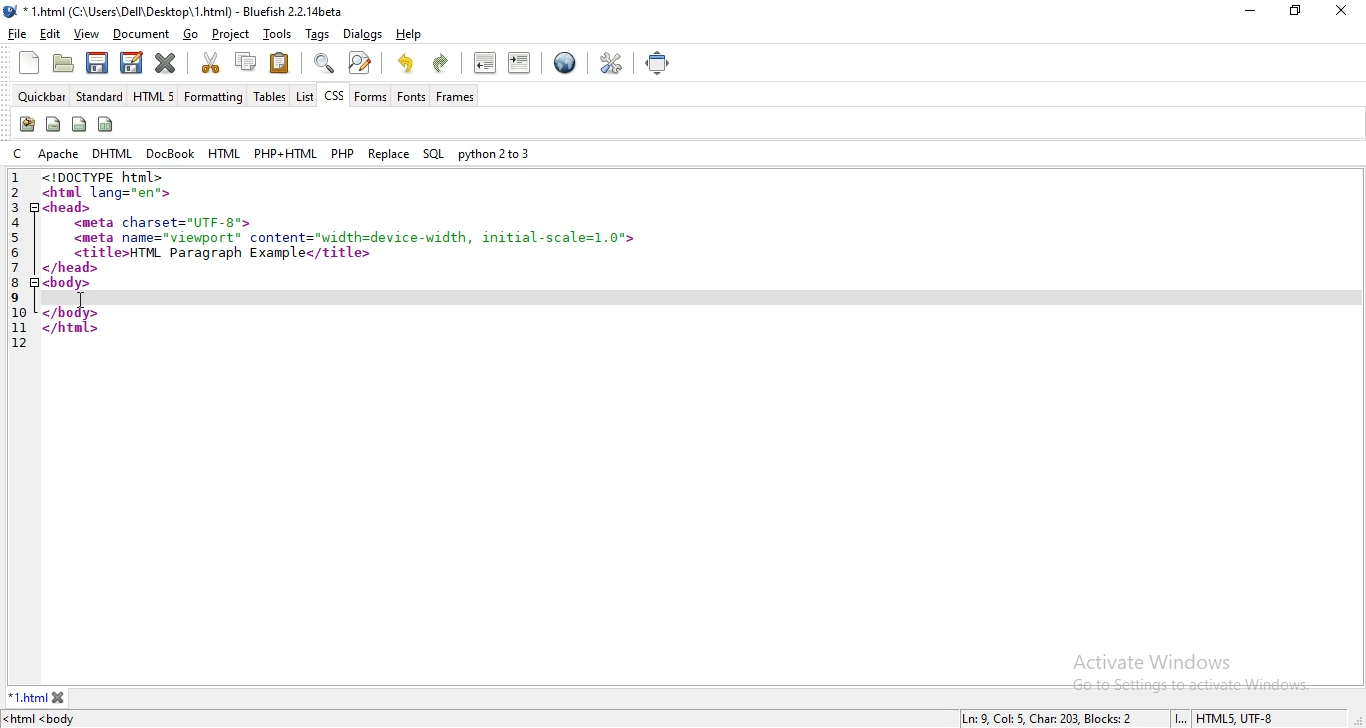 The image size is (1366, 728). Describe the element at coordinates (83, 301) in the screenshot. I see `cursor` at that location.